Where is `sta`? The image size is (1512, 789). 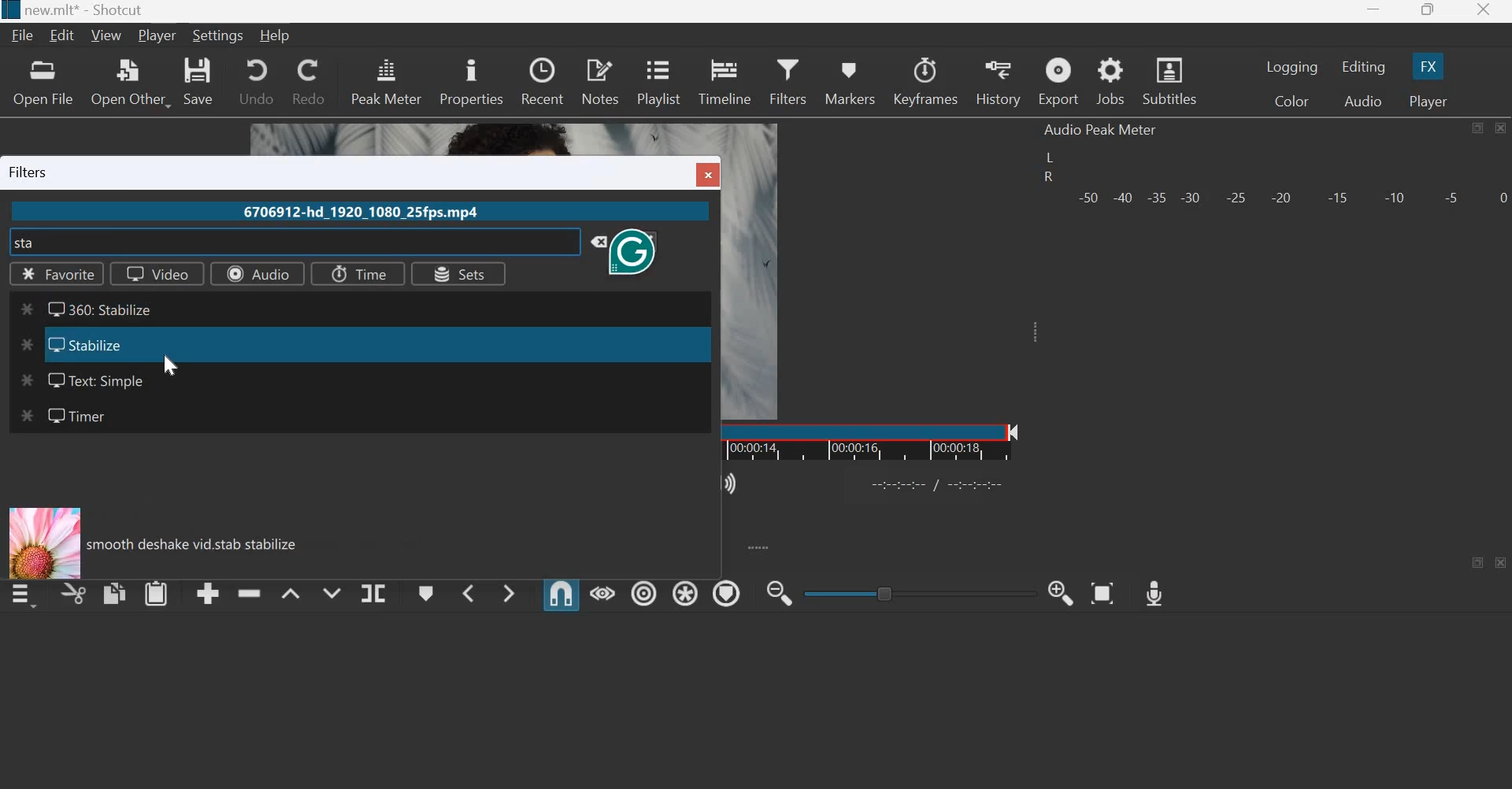 sta is located at coordinates (25, 242).